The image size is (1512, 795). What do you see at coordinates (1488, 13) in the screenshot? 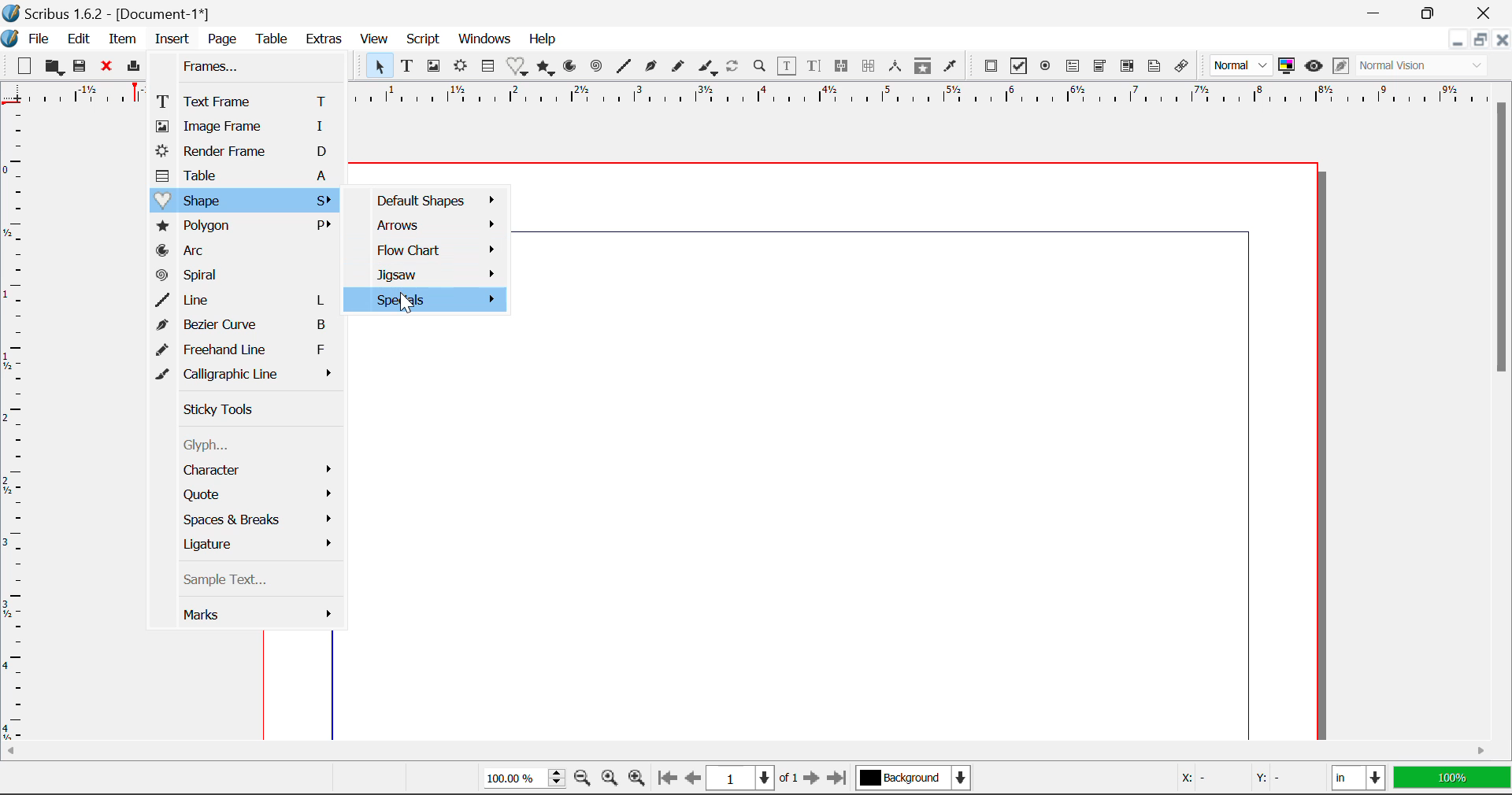
I see `Close` at bounding box center [1488, 13].